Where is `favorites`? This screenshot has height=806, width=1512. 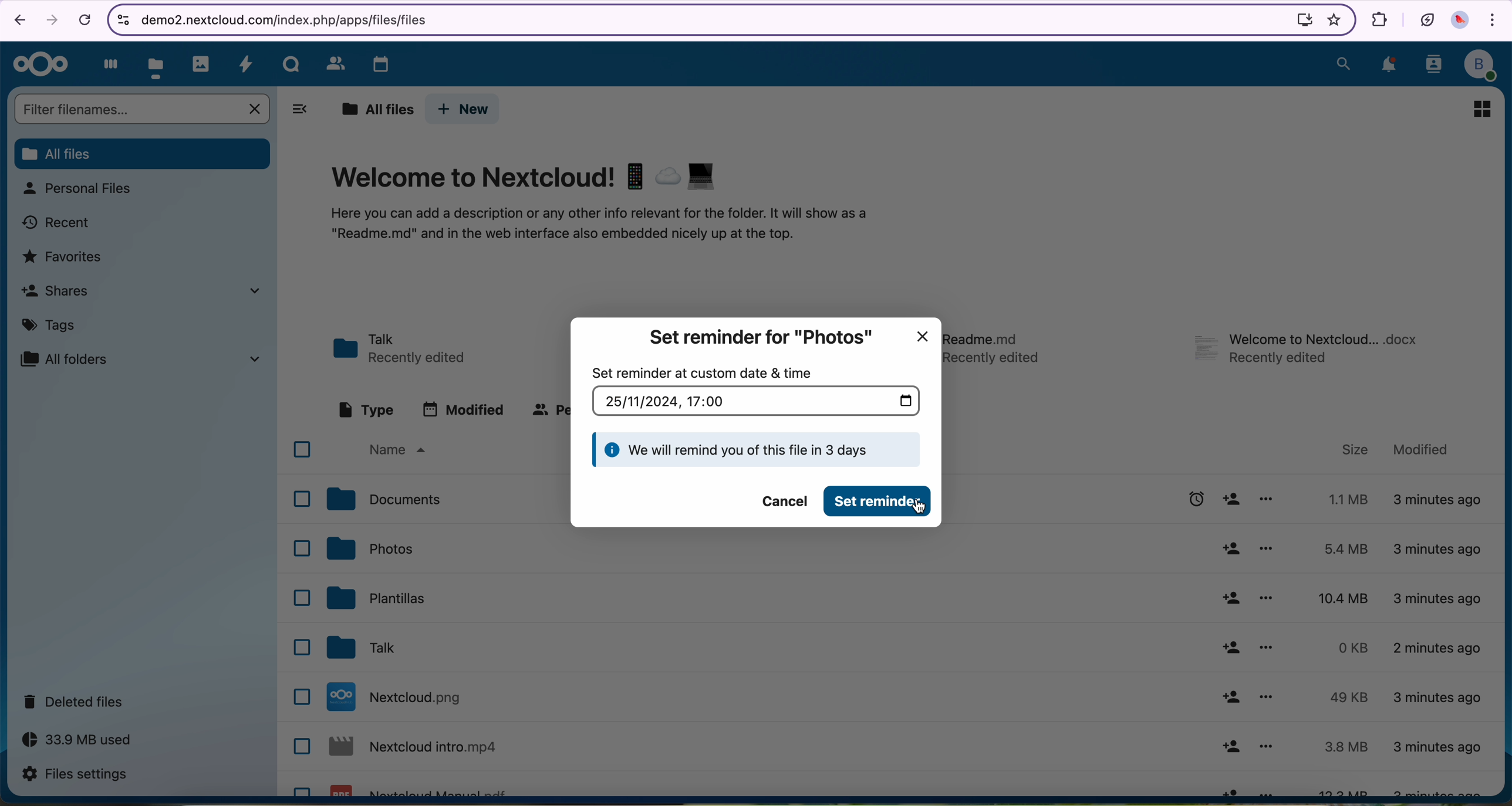
favorites is located at coordinates (64, 258).